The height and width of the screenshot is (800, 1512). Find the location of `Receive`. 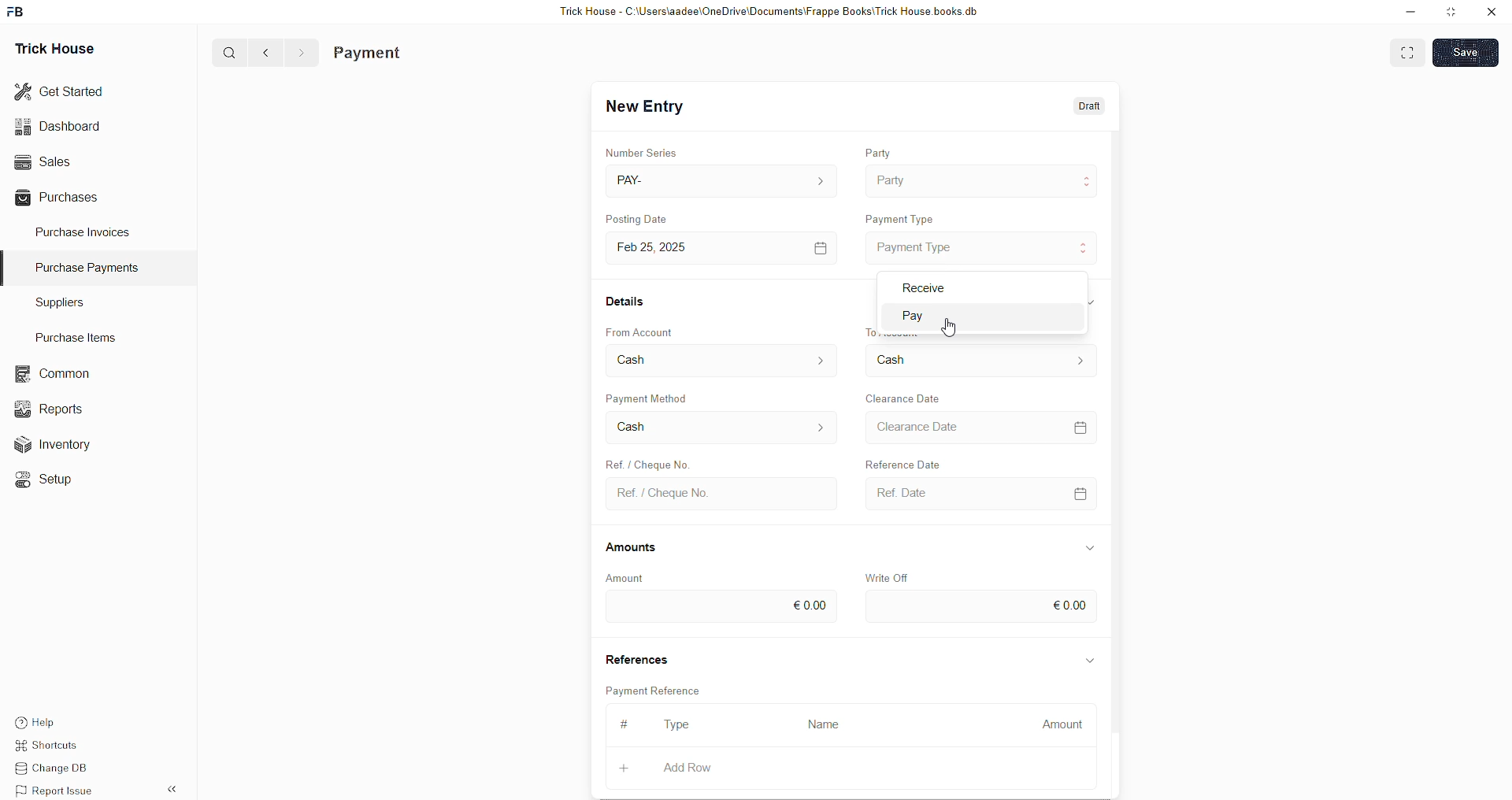

Receive is located at coordinates (921, 287).